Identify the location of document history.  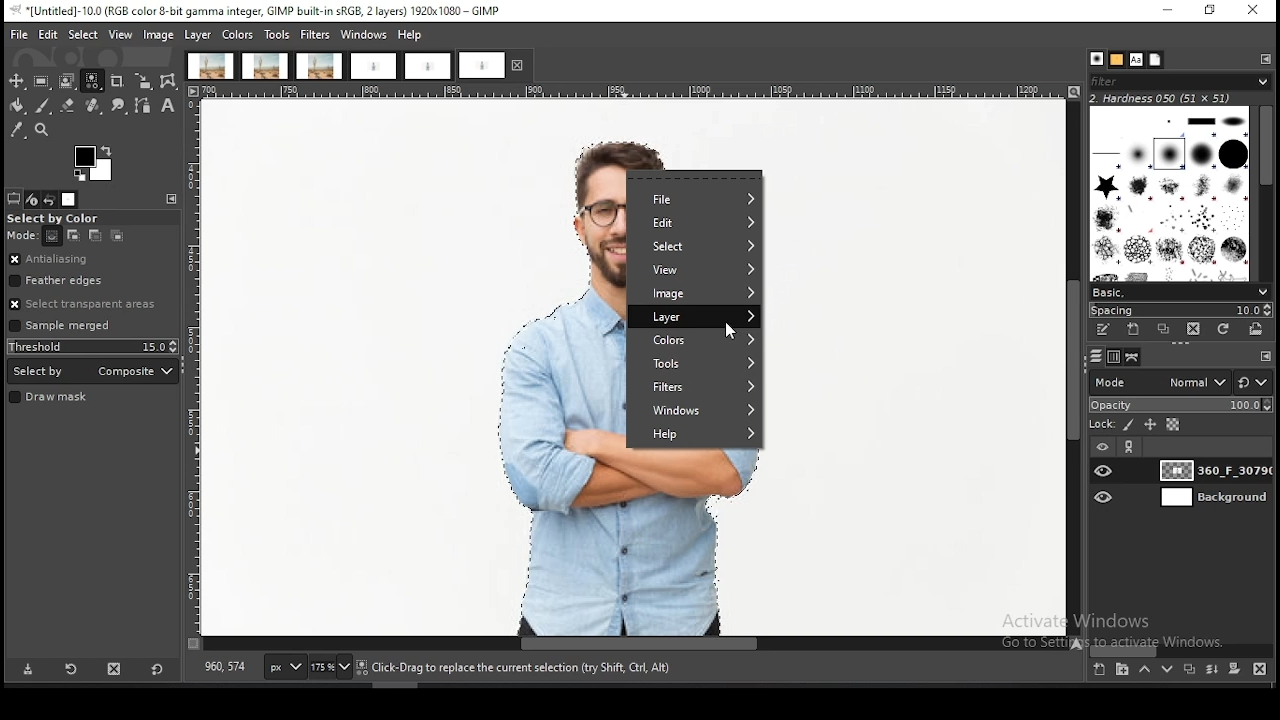
(1156, 59).